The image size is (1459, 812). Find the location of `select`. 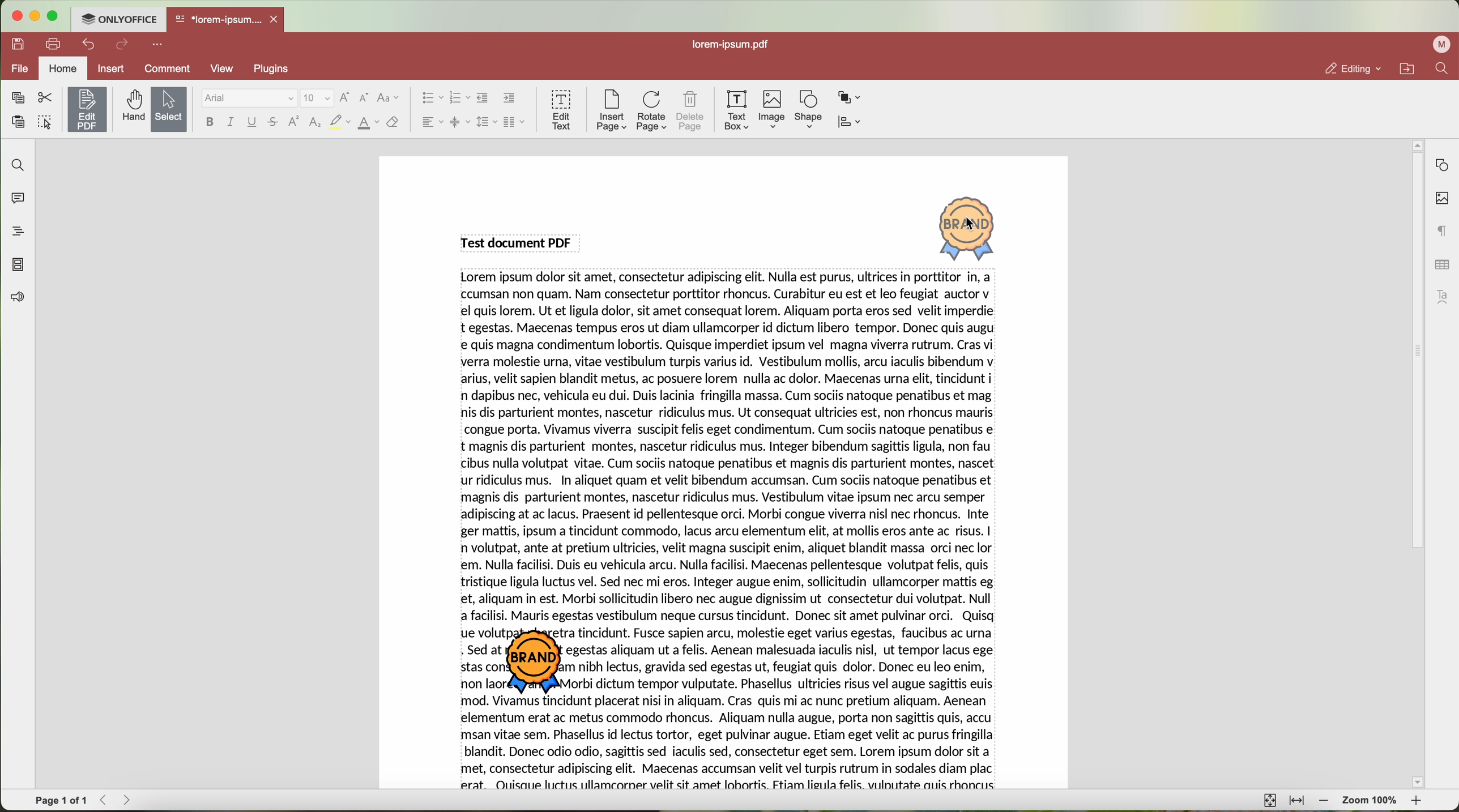

select is located at coordinates (169, 110).